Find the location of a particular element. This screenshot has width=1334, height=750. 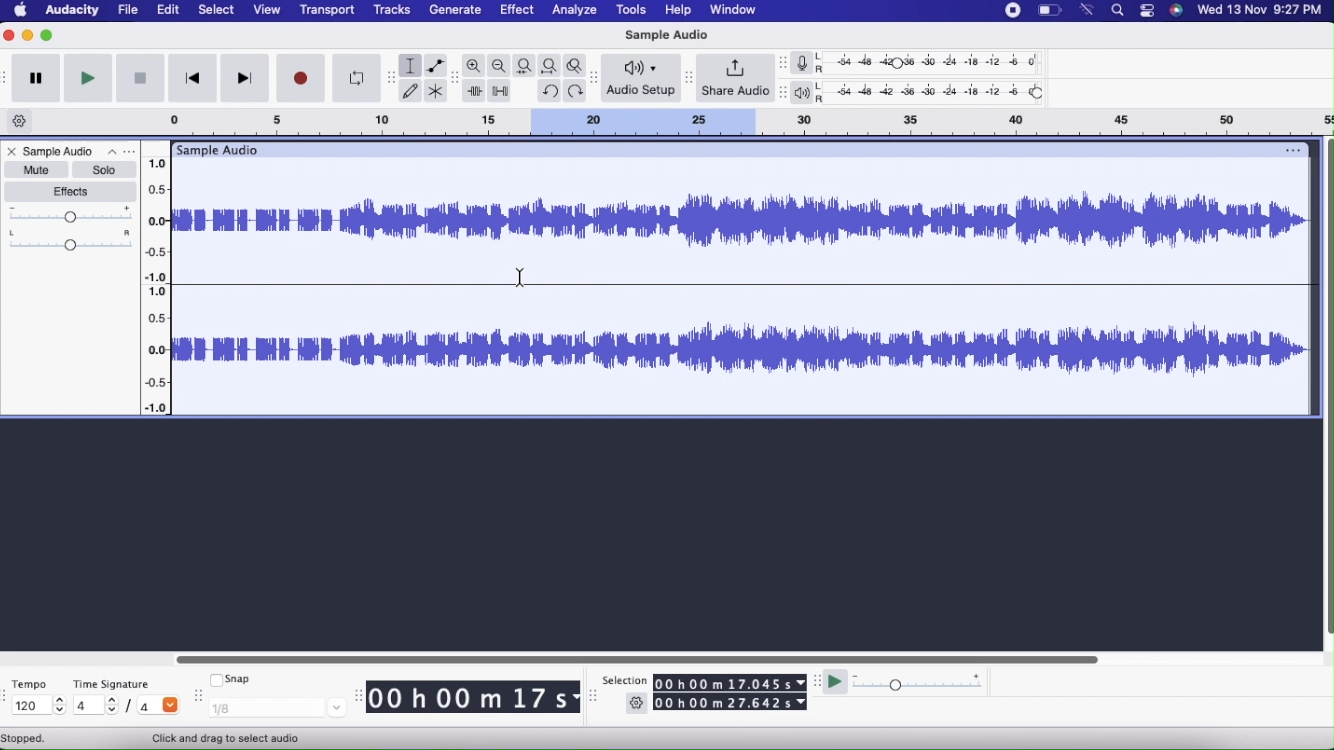

Sample Audio is located at coordinates (60, 151).